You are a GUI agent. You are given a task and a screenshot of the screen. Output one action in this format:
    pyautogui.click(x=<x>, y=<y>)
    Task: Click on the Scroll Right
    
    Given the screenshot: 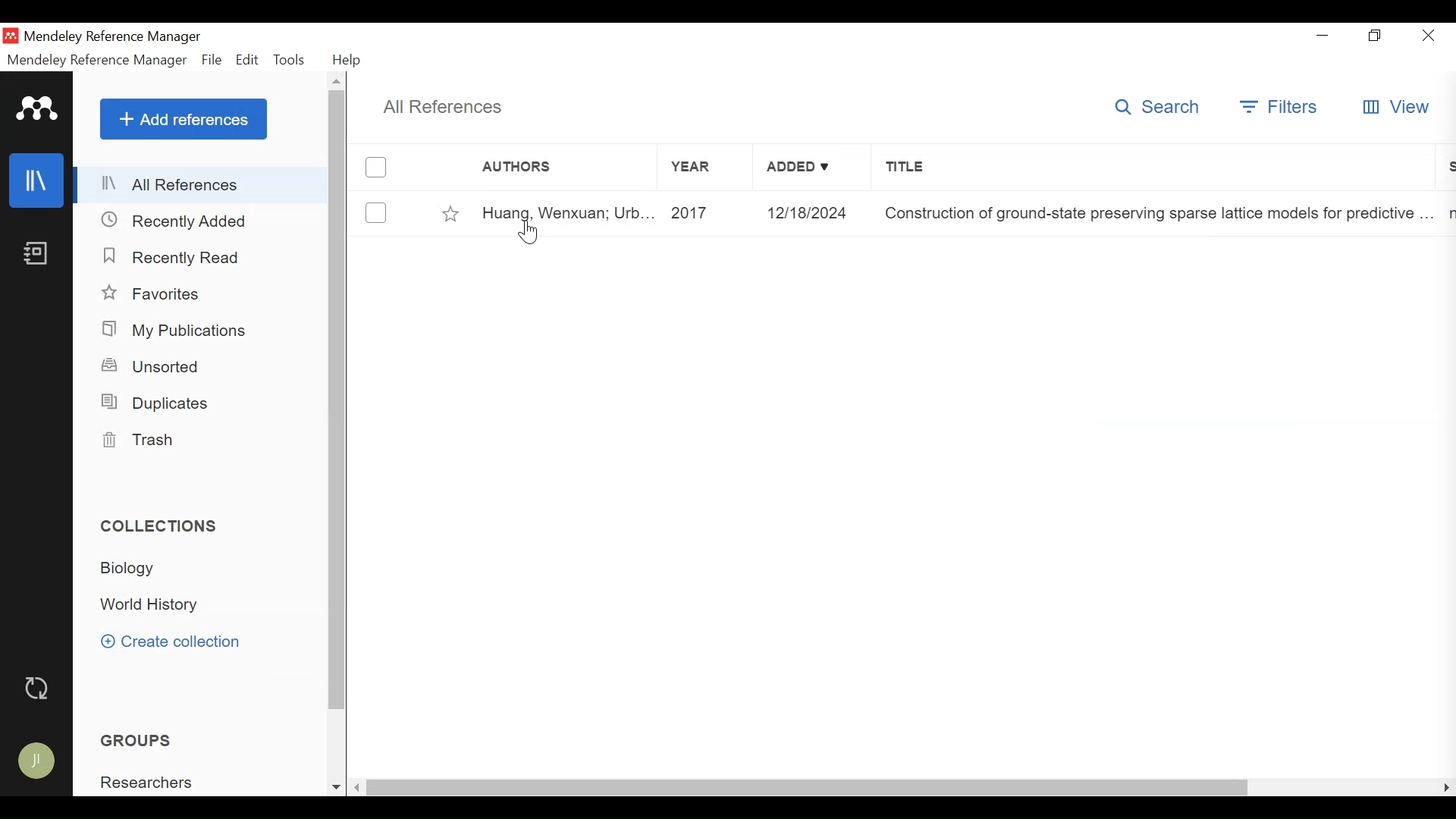 What is the action you would take?
    pyautogui.click(x=358, y=787)
    